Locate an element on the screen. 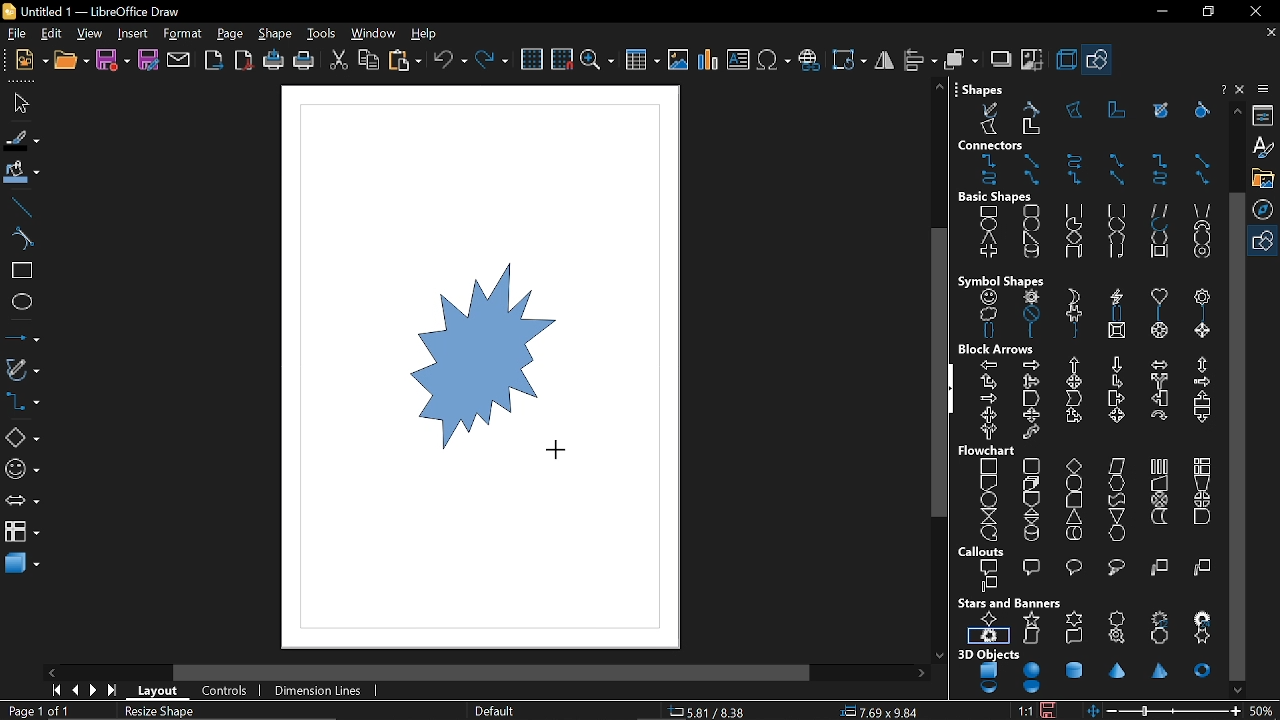 The height and width of the screenshot is (720, 1280). format is located at coordinates (182, 34).